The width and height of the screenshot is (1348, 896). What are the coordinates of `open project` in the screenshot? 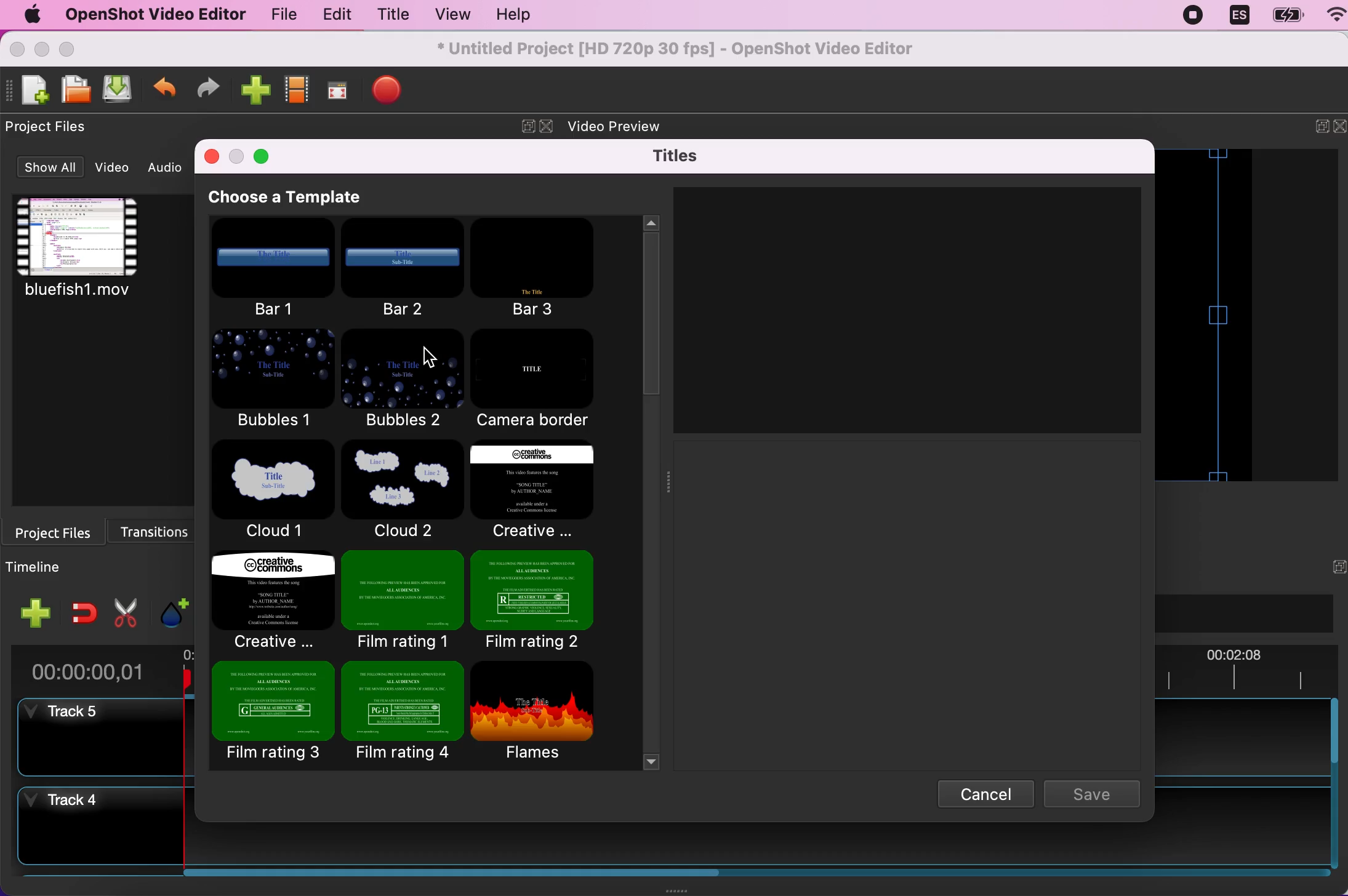 It's located at (74, 89).